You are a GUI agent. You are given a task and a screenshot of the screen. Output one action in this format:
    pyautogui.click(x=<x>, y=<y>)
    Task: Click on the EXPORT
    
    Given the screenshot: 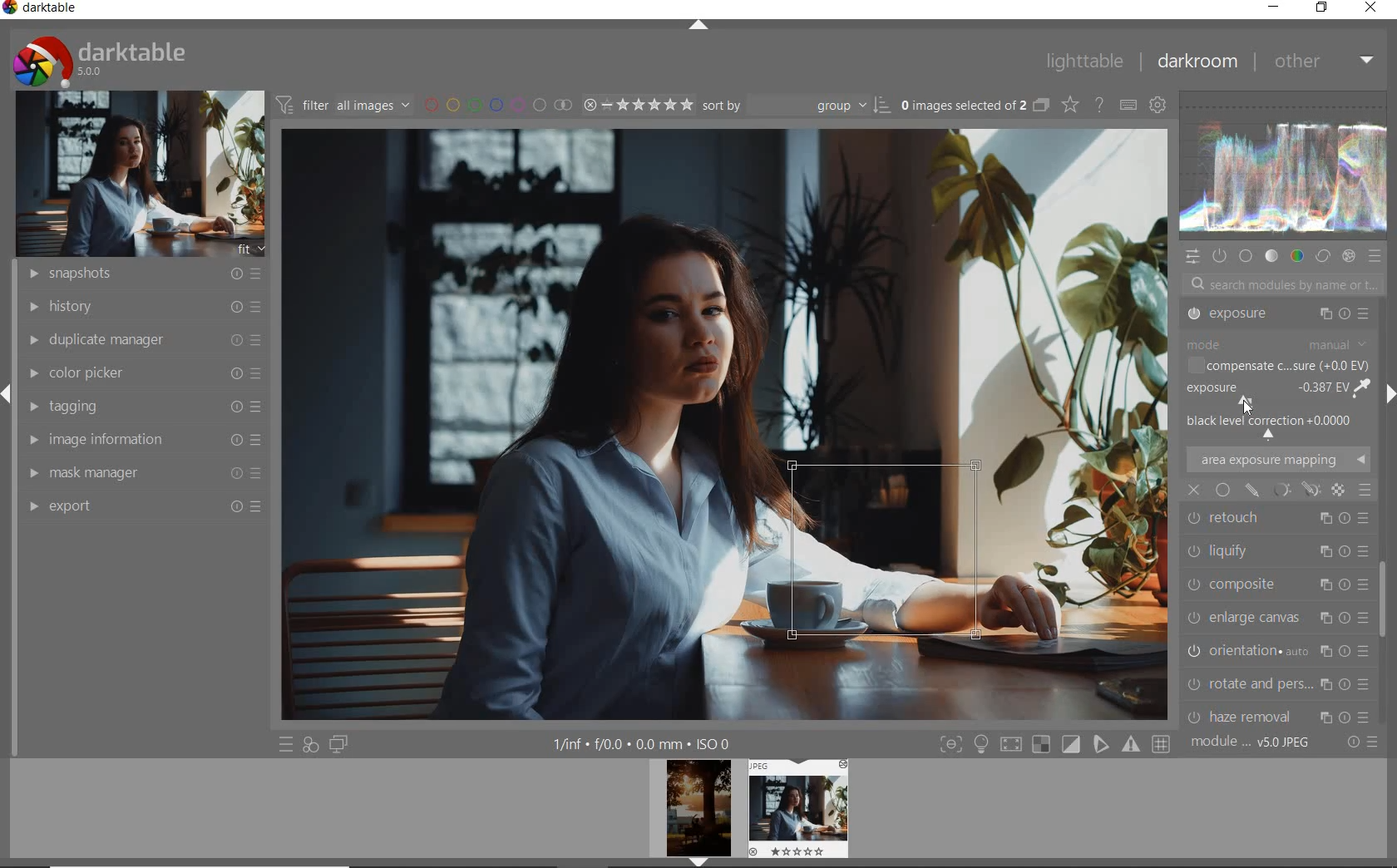 What is the action you would take?
    pyautogui.click(x=146, y=506)
    